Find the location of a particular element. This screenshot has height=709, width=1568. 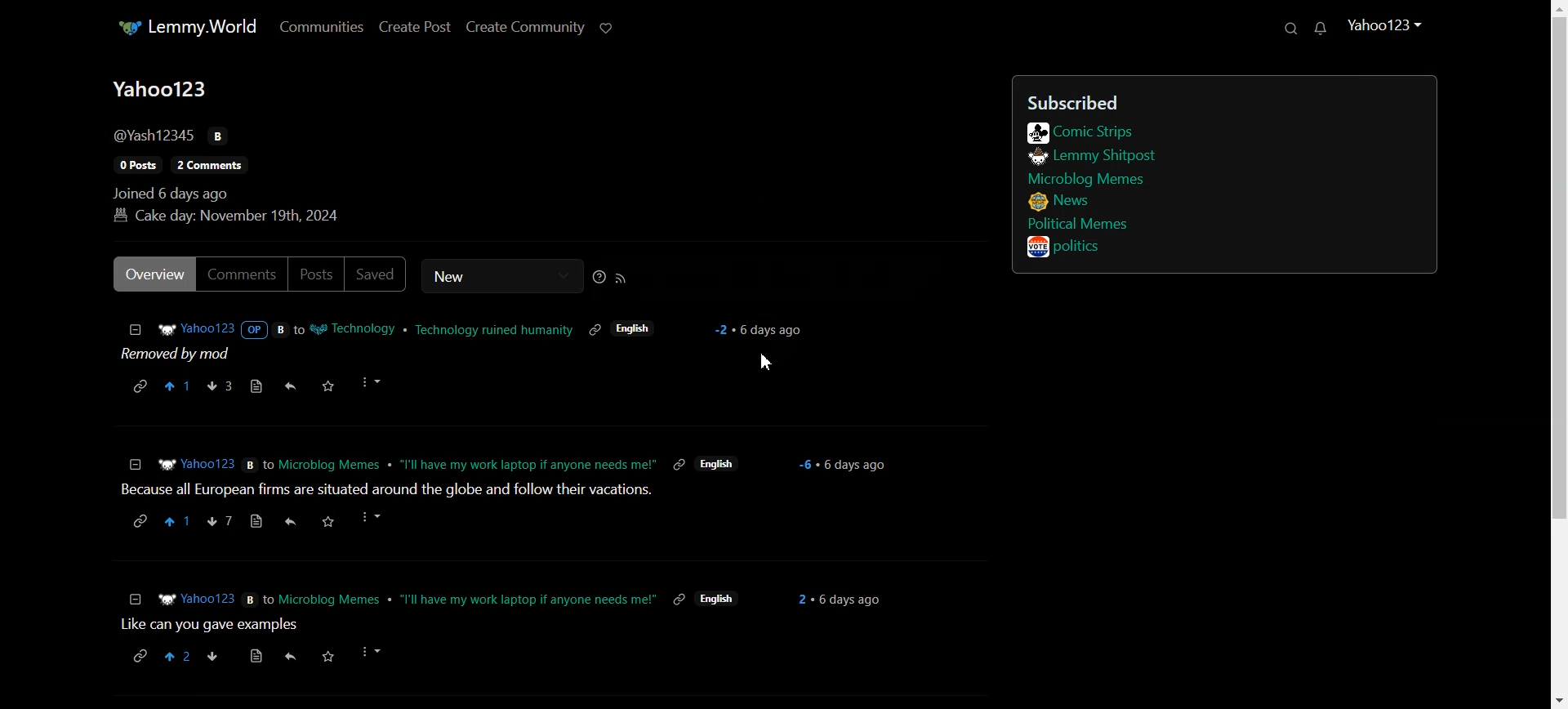

Bf Yahool123 8 to Microblog Memes is located at coordinates (269, 469).